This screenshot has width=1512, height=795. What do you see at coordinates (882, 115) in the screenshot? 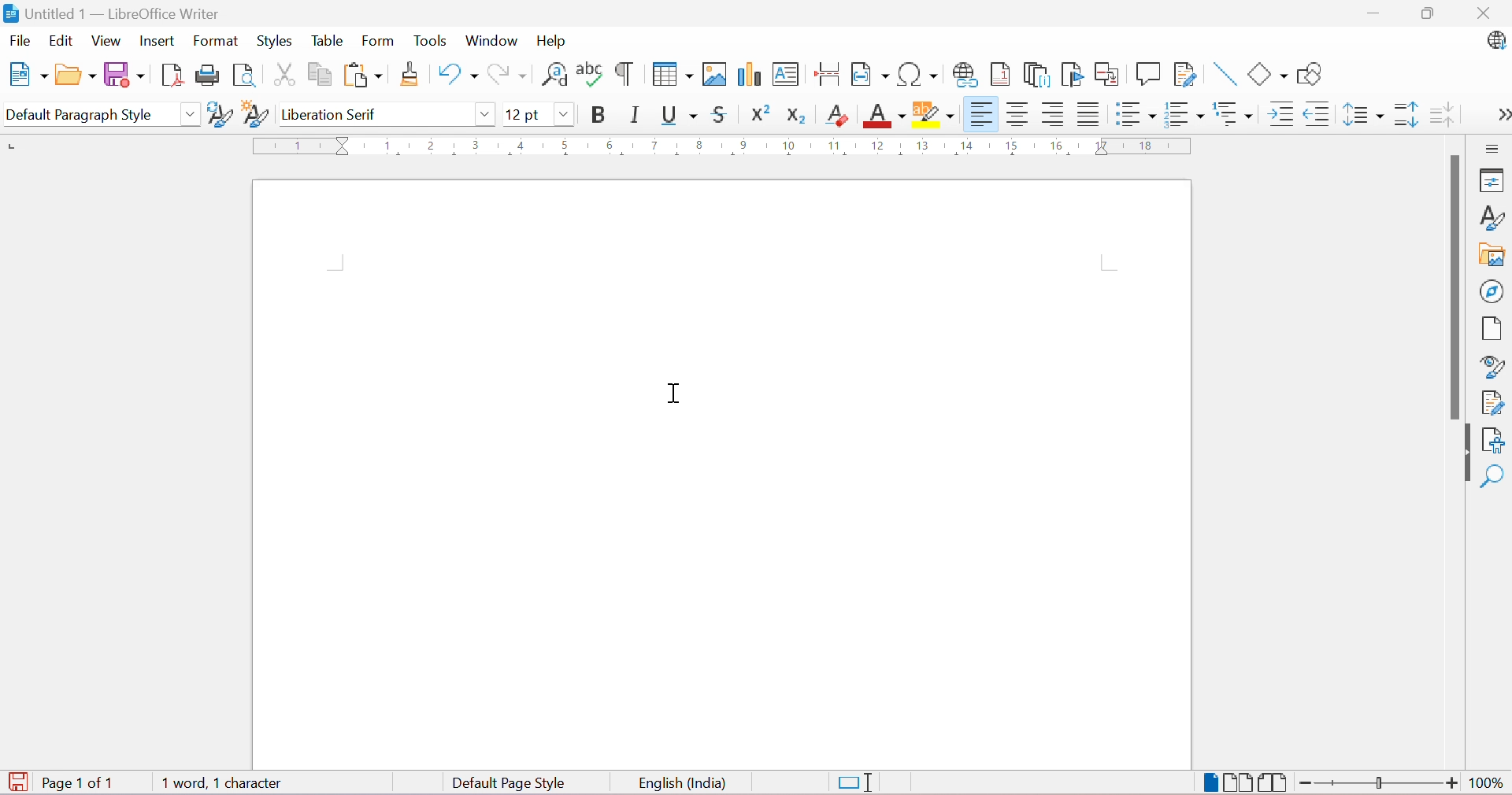
I see `Font Color` at bounding box center [882, 115].